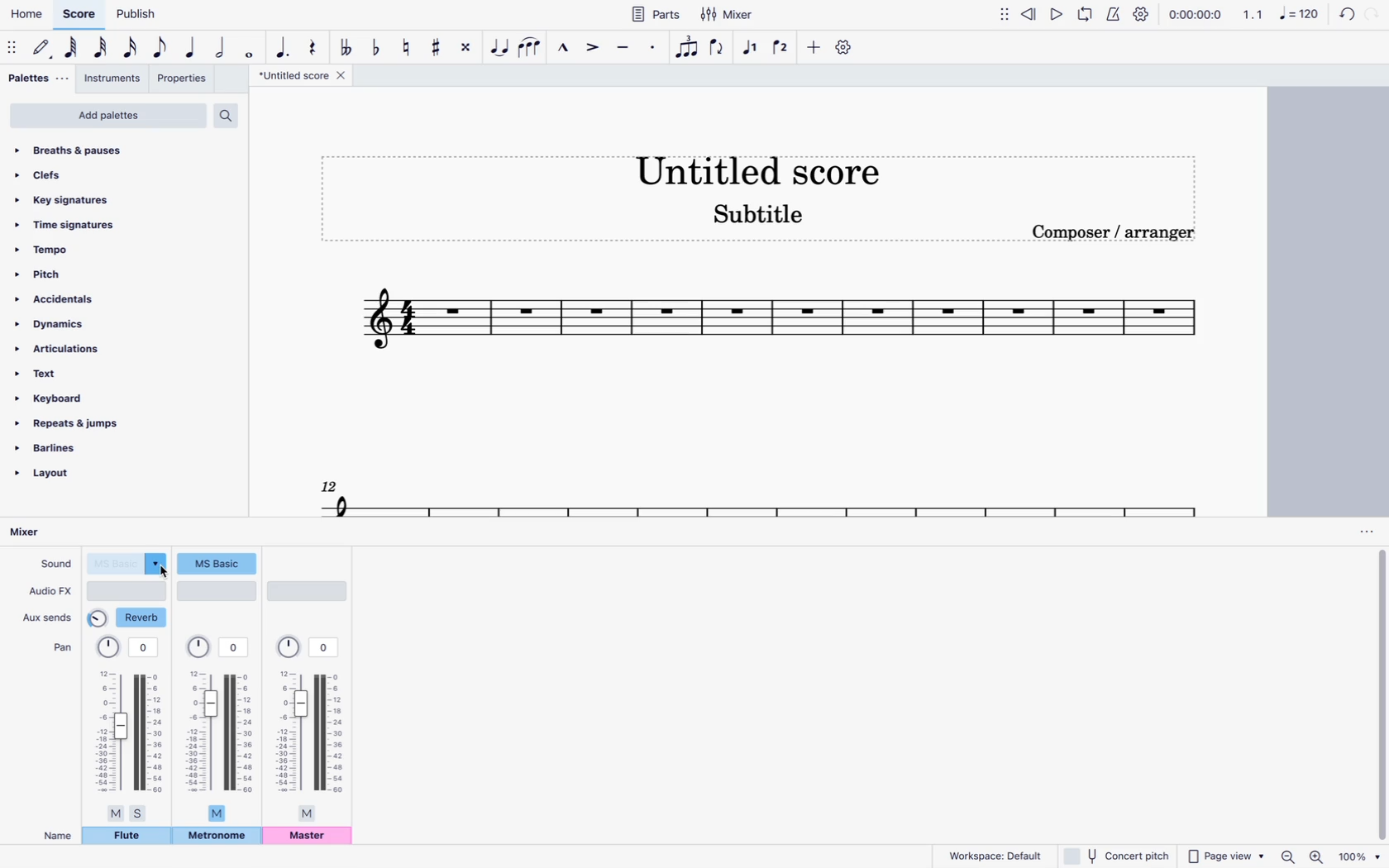 This screenshot has width=1389, height=868. Describe the element at coordinates (193, 49) in the screenshot. I see `quarter note` at that location.